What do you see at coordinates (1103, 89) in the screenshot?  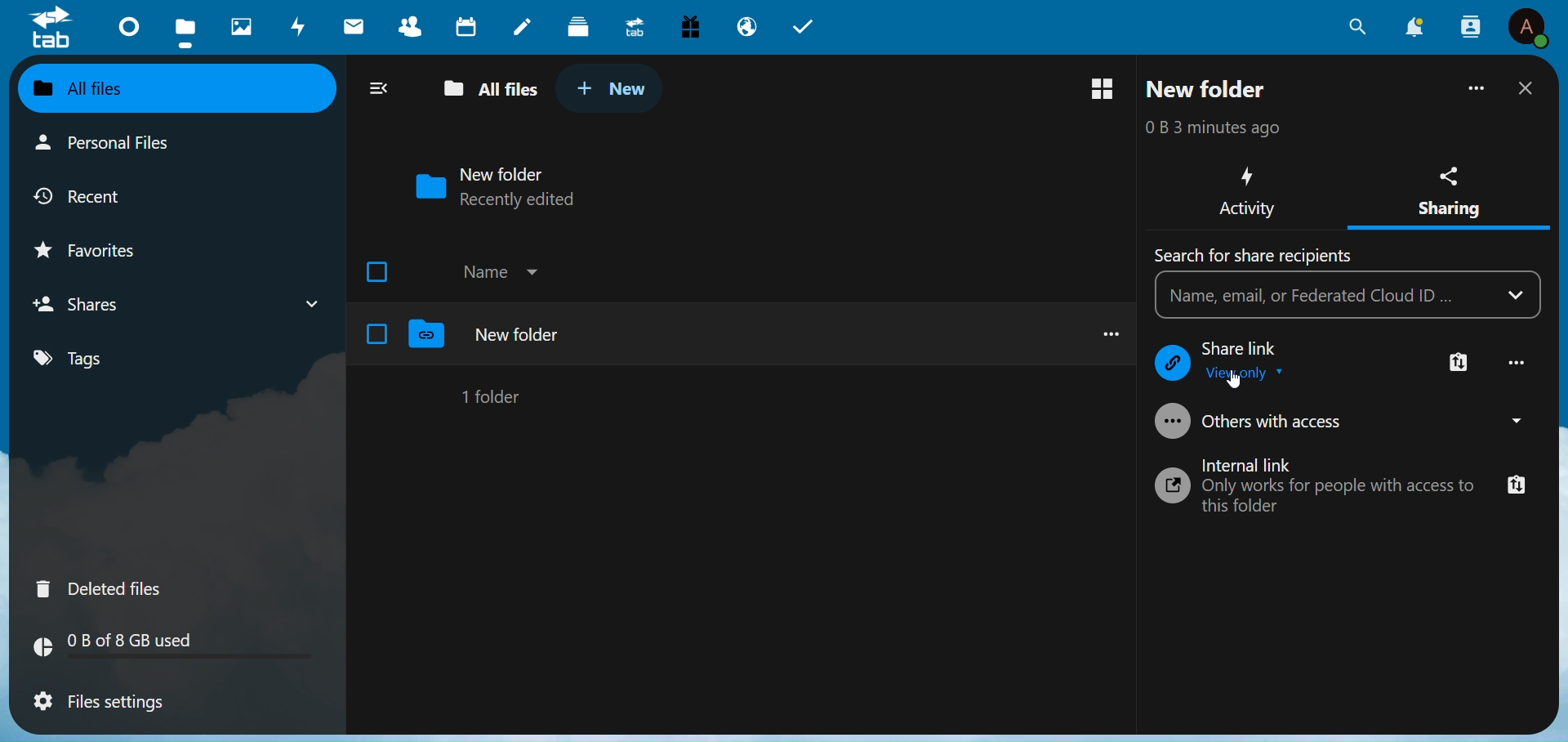 I see `Switch to grid view` at bounding box center [1103, 89].